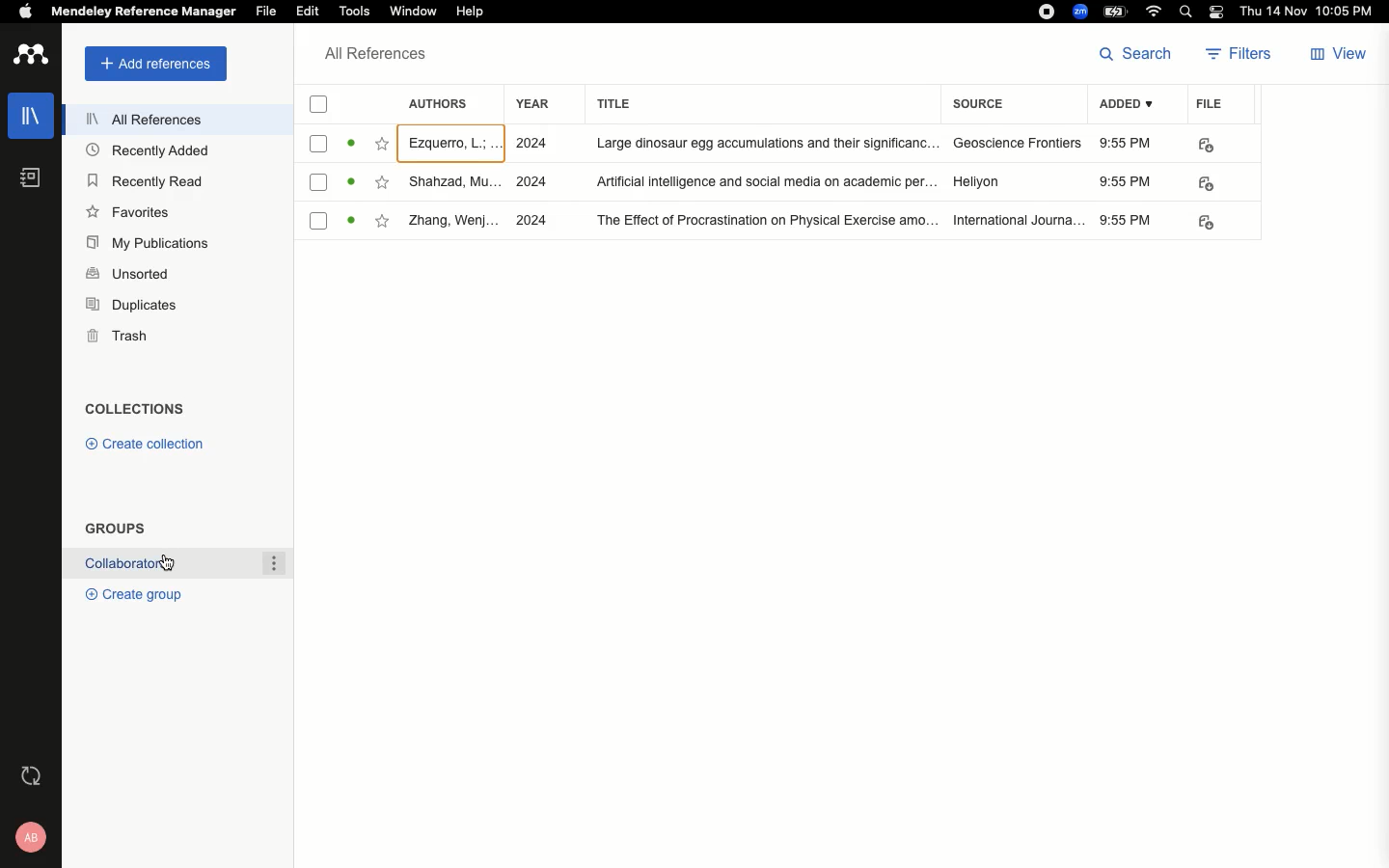 This screenshot has height=868, width=1389. I want to click on Internet, so click(1156, 12).